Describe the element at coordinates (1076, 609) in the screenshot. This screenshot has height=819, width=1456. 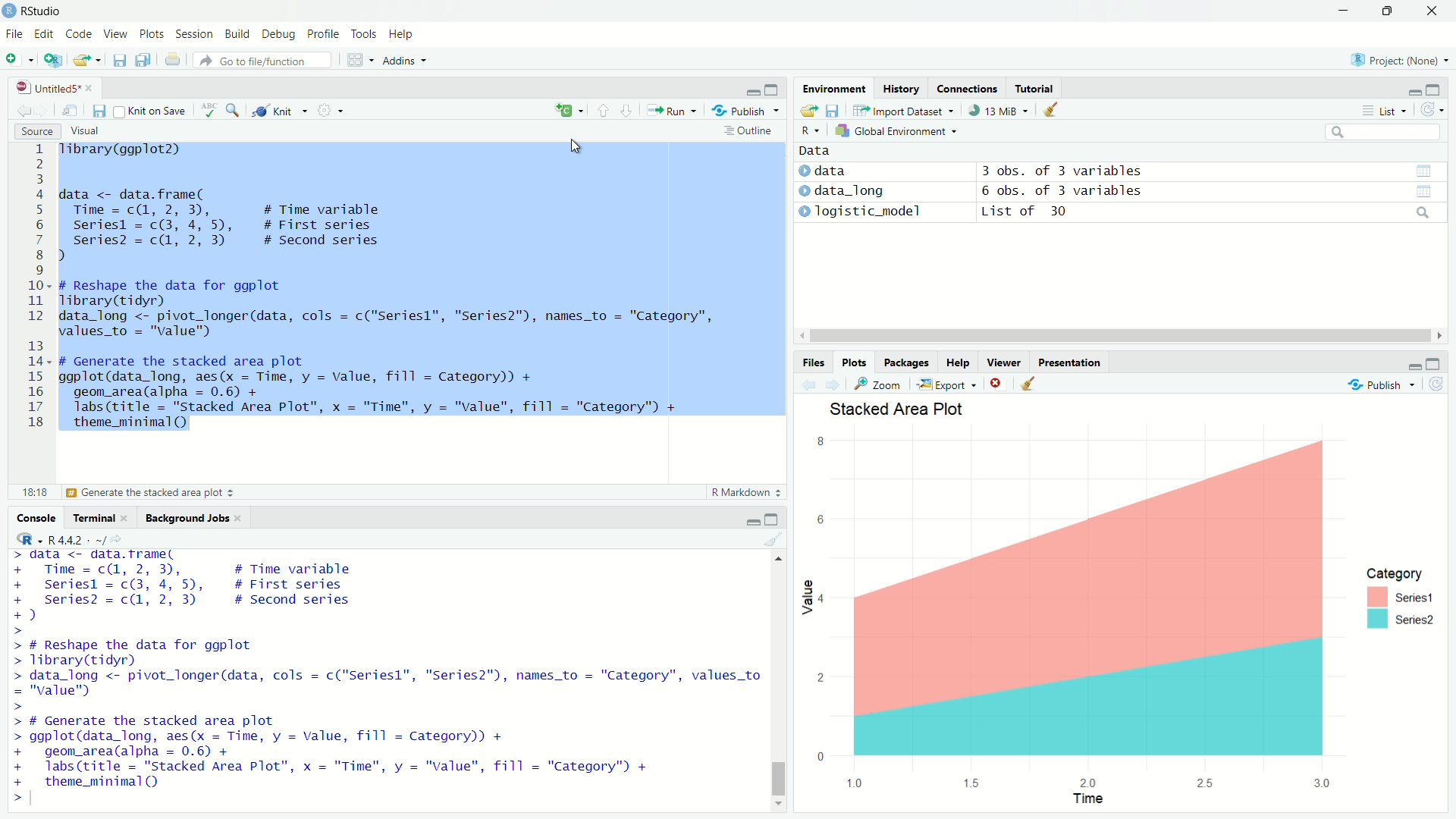
I see `chart` at that location.